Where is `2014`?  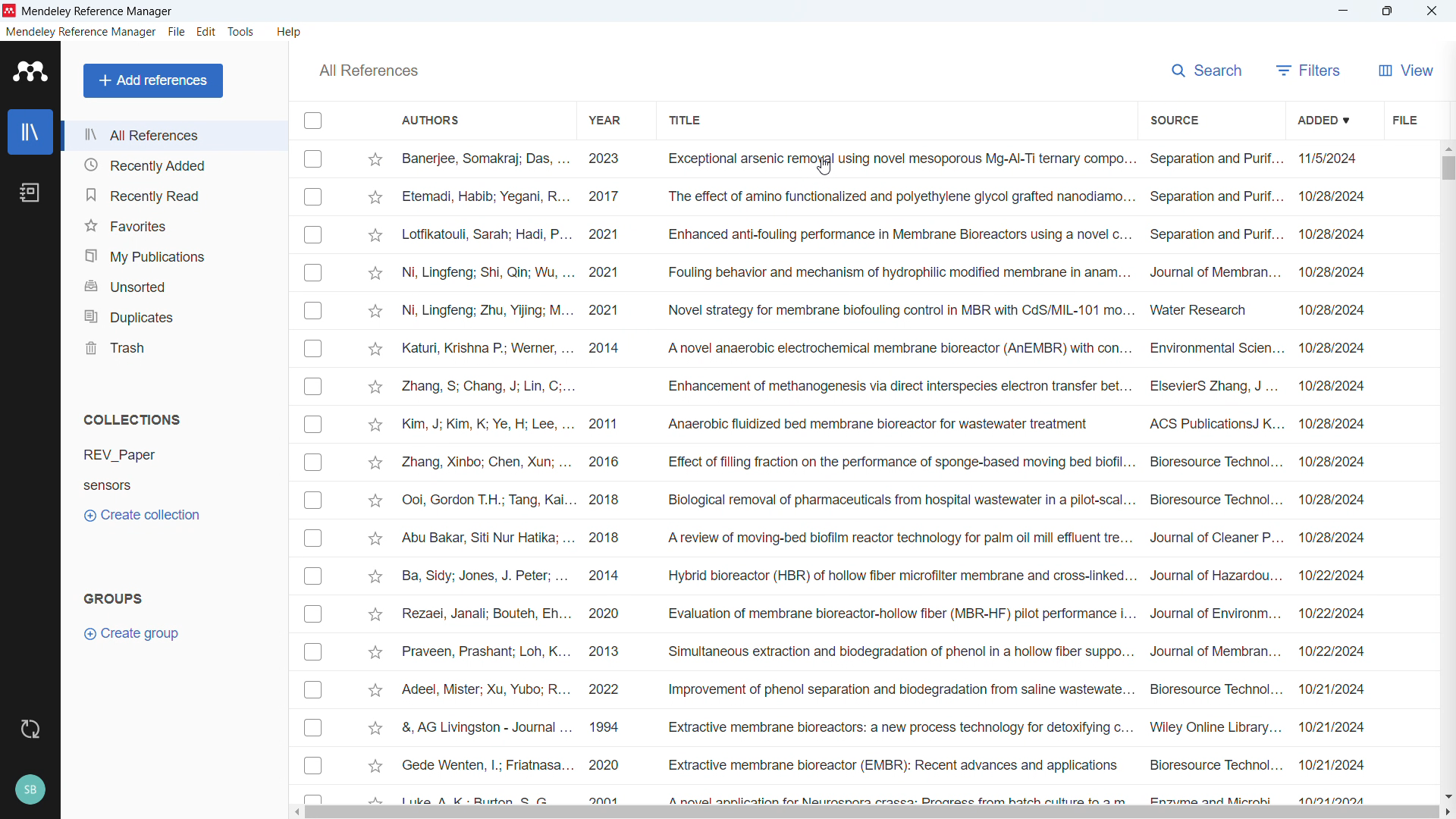 2014 is located at coordinates (606, 578).